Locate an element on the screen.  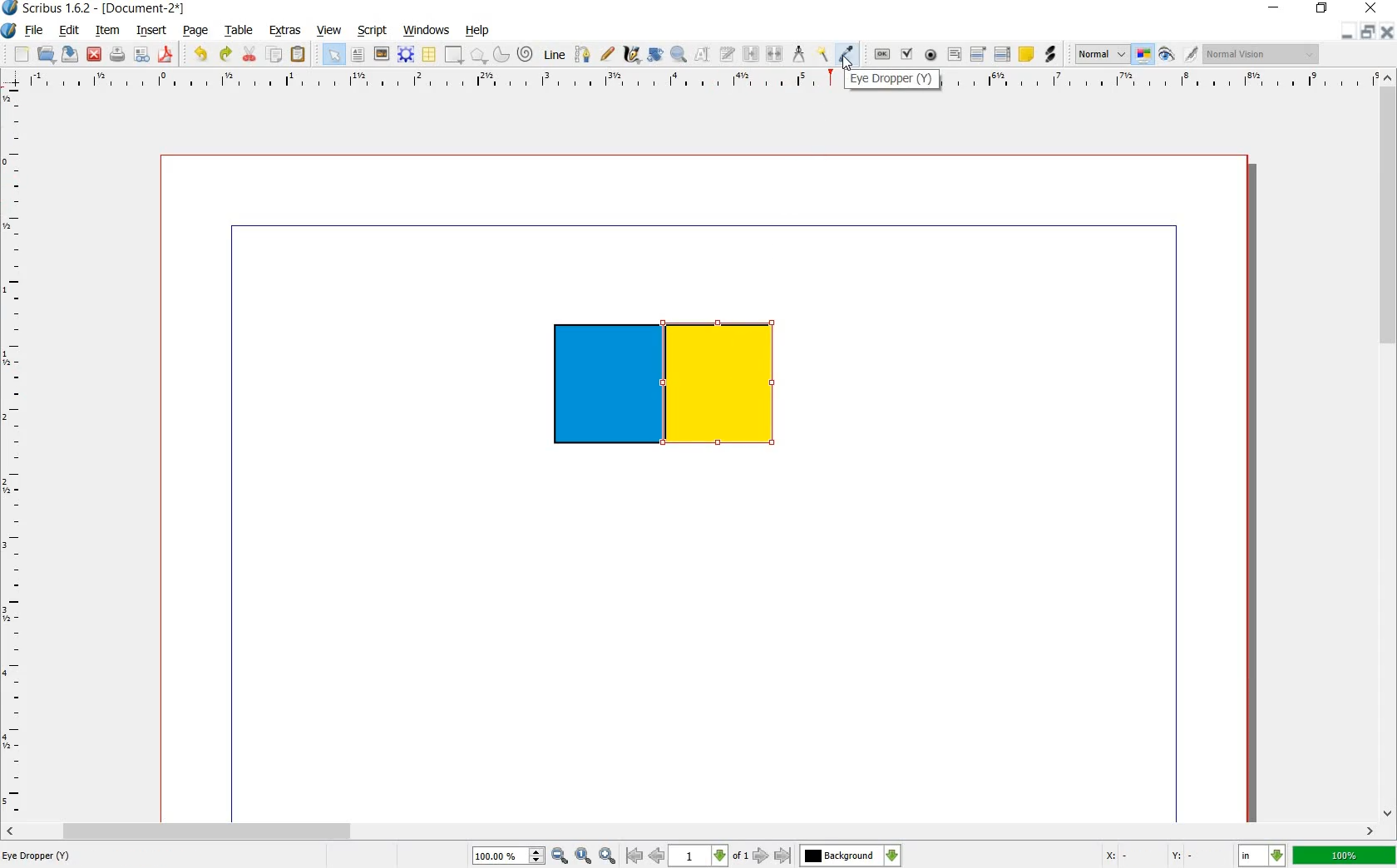
zoom out is located at coordinates (560, 854).